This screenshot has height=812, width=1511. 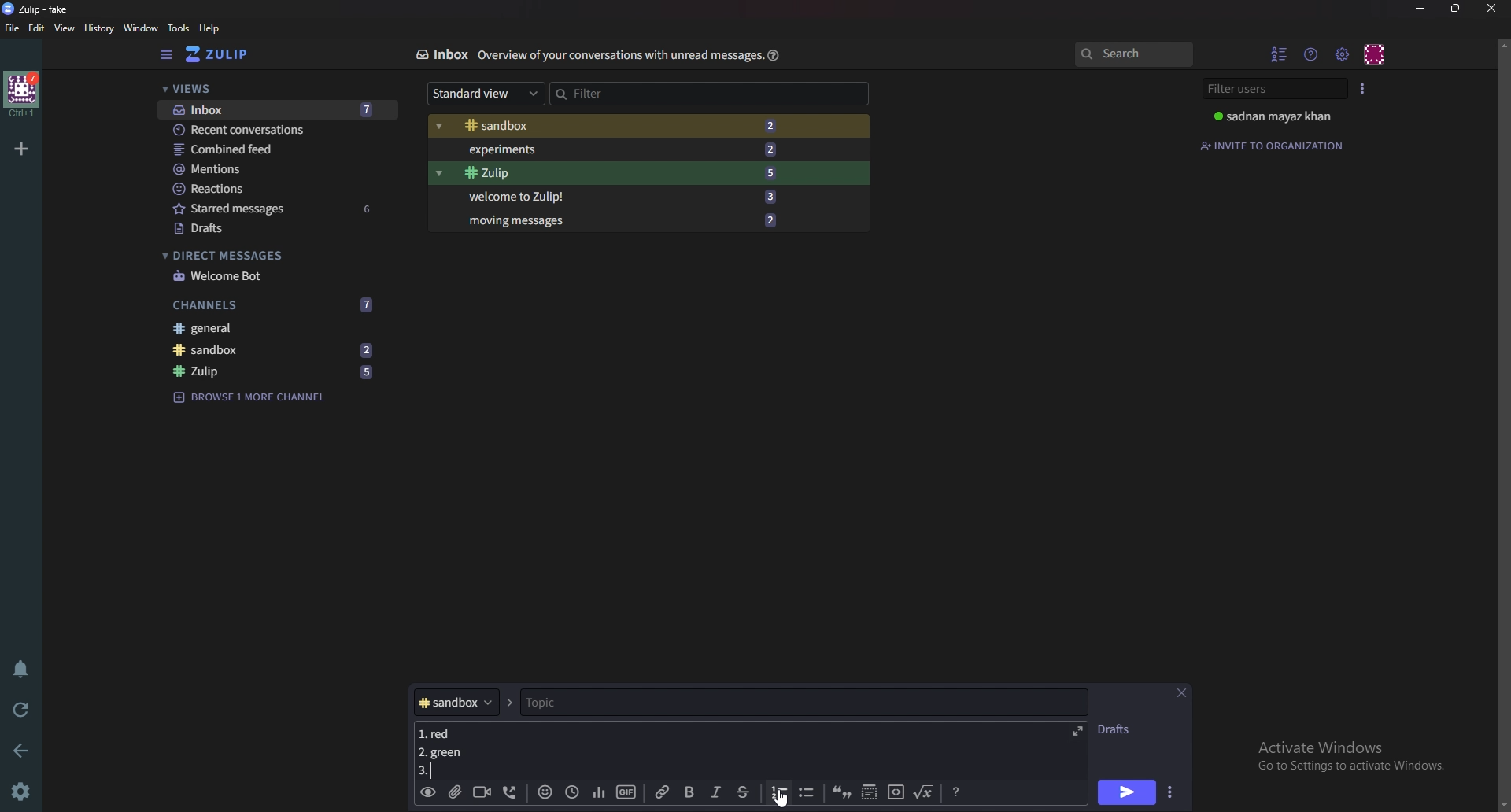 I want to click on Send options, so click(x=1169, y=794).